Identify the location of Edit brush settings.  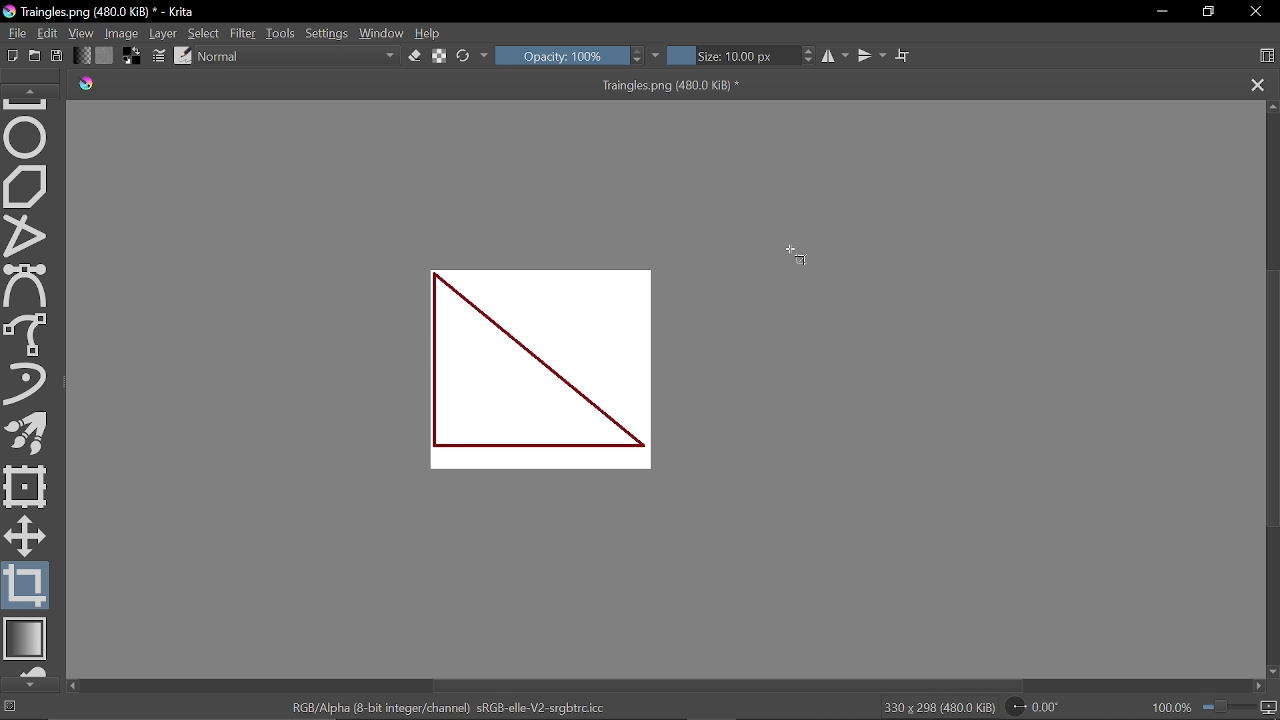
(160, 57).